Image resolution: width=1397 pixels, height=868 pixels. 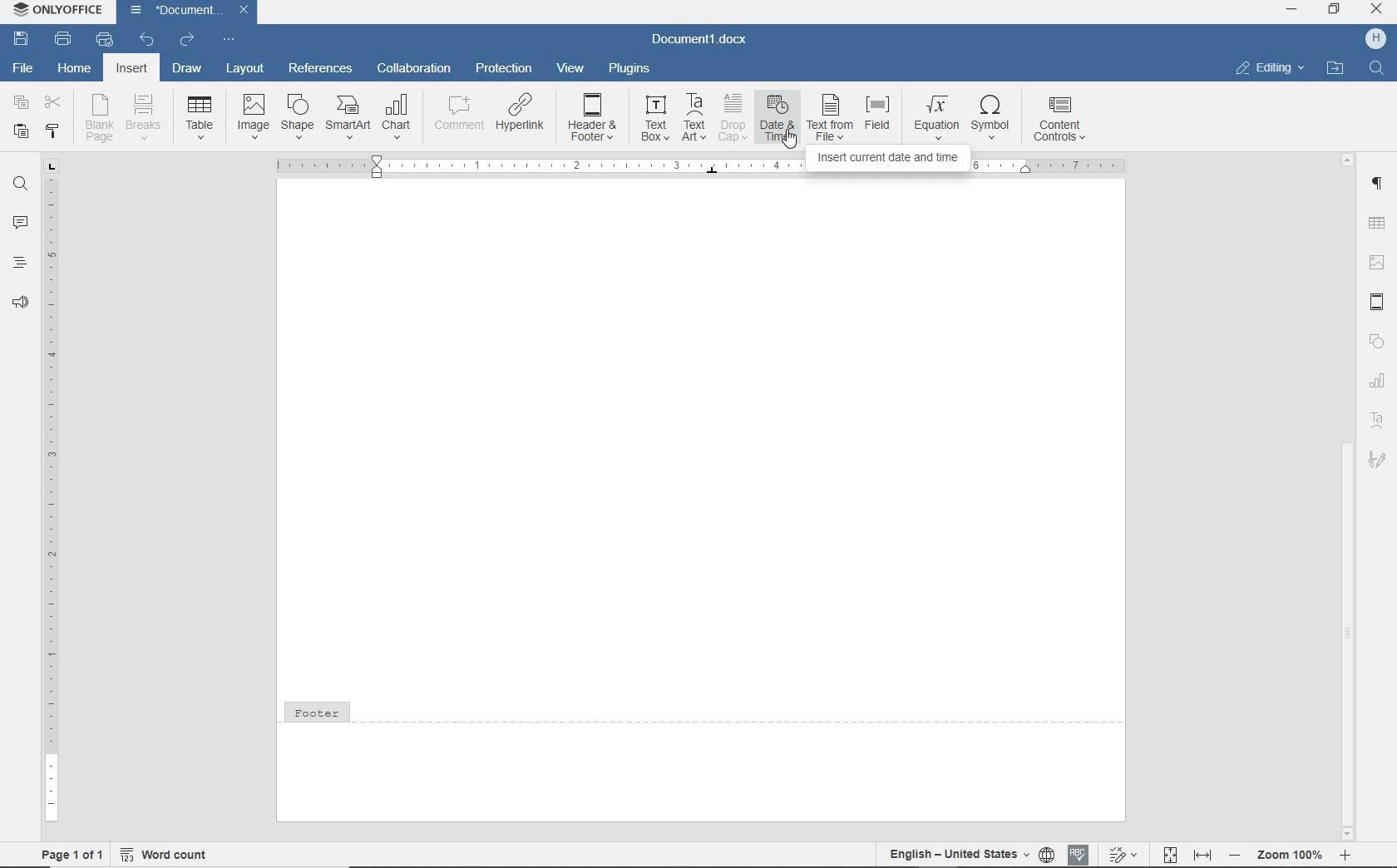 I want to click on username, so click(x=1376, y=39).